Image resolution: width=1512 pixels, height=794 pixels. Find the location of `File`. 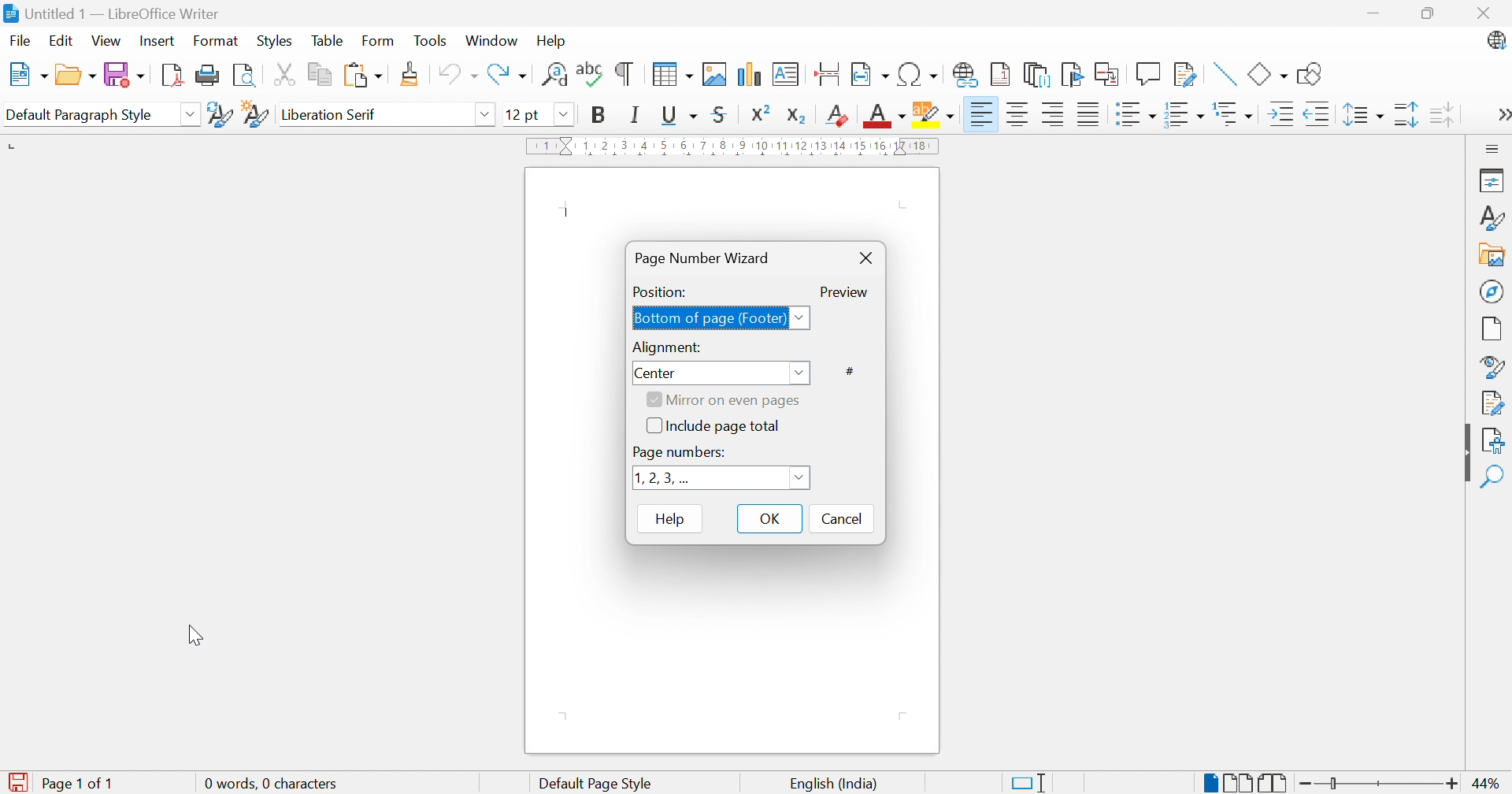

File is located at coordinates (18, 41).